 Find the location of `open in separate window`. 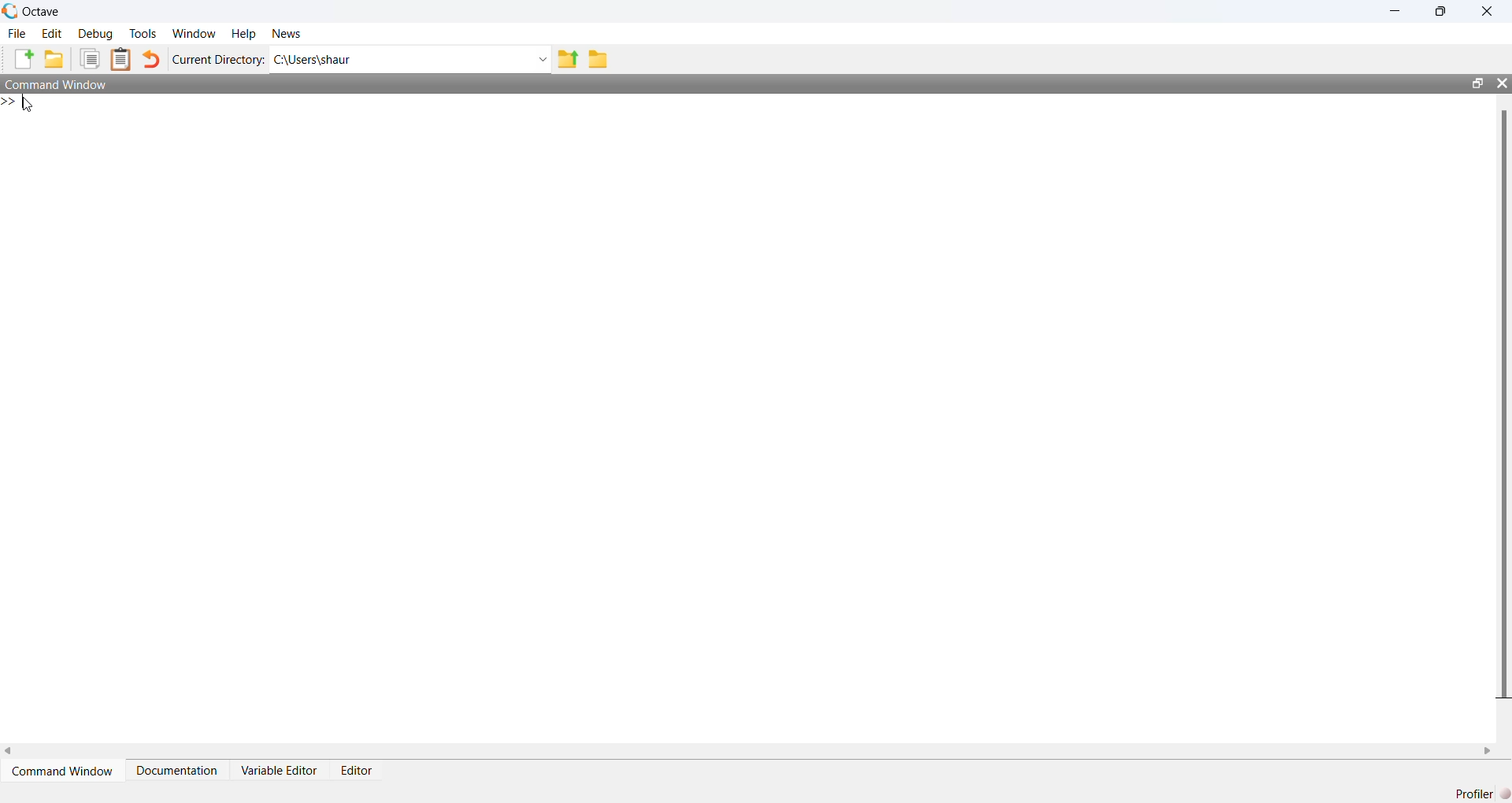

open in separate window is located at coordinates (1479, 83).